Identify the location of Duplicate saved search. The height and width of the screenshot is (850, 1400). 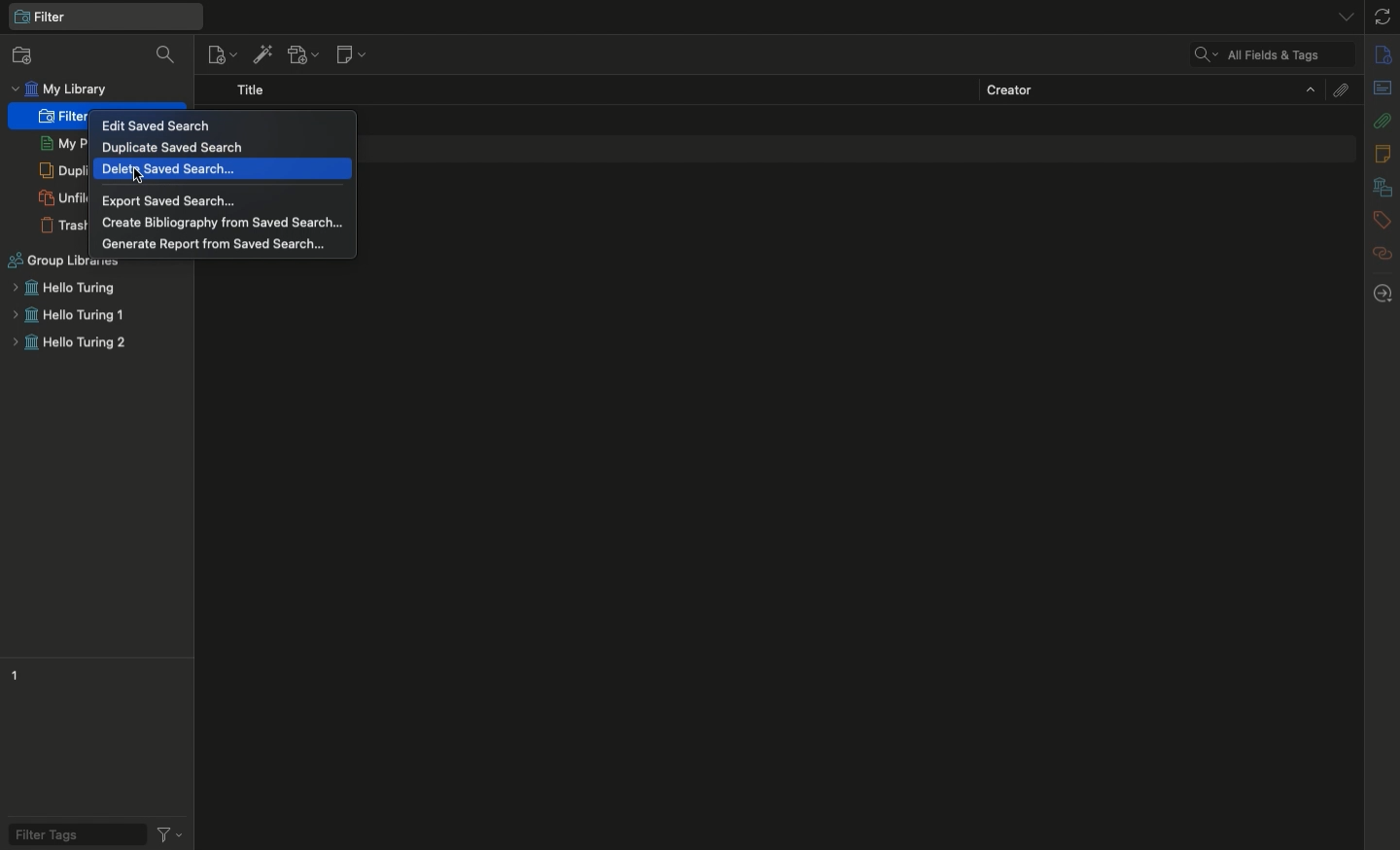
(176, 147).